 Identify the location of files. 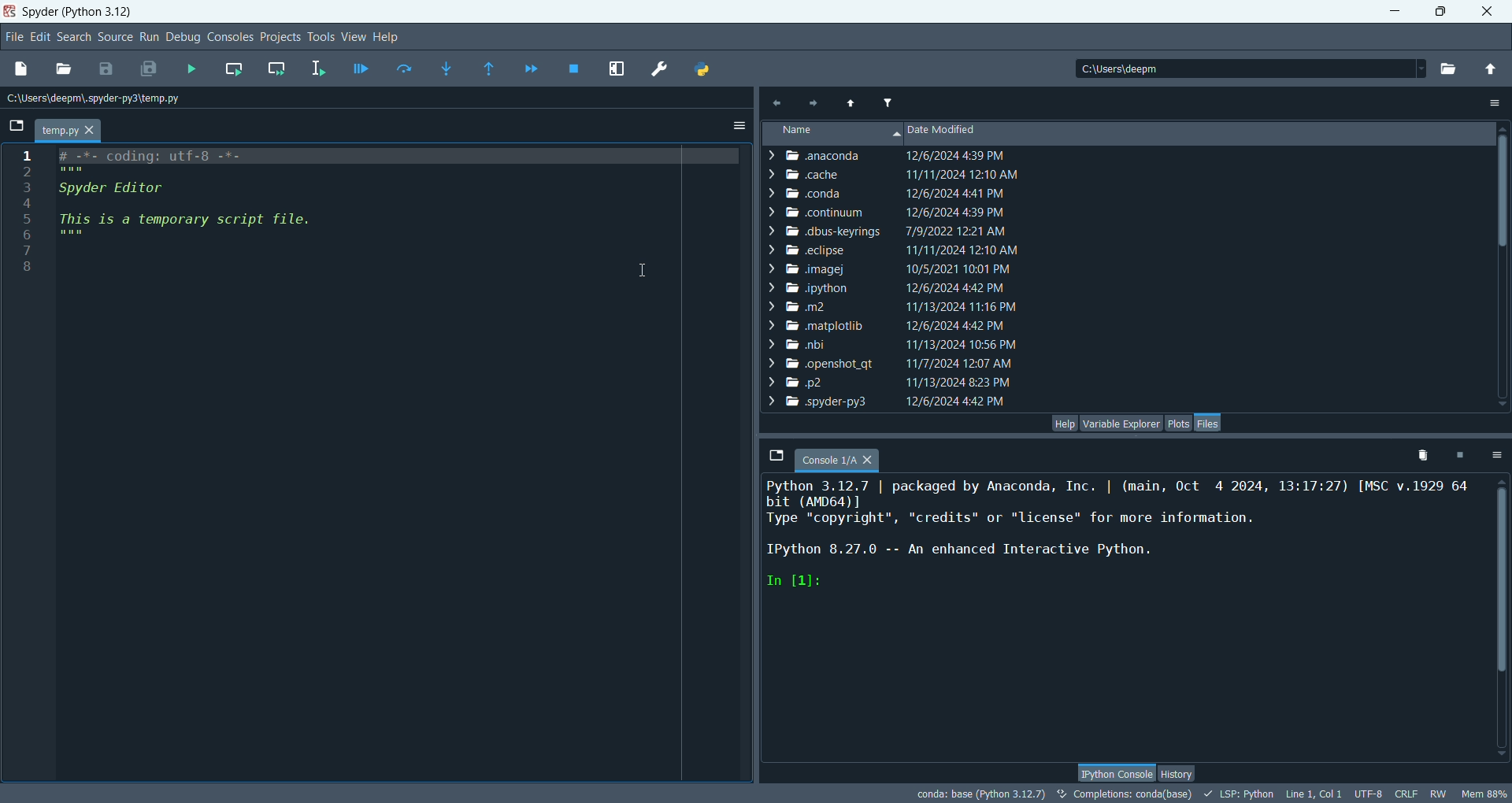
(1211, 423).